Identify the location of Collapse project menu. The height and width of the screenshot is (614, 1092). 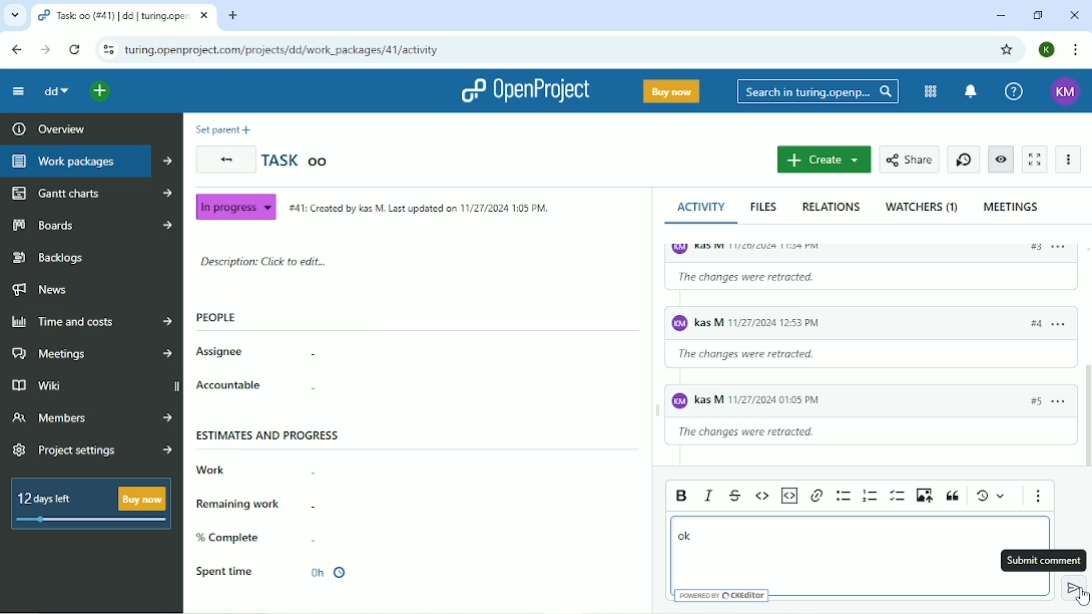
(19, 91).